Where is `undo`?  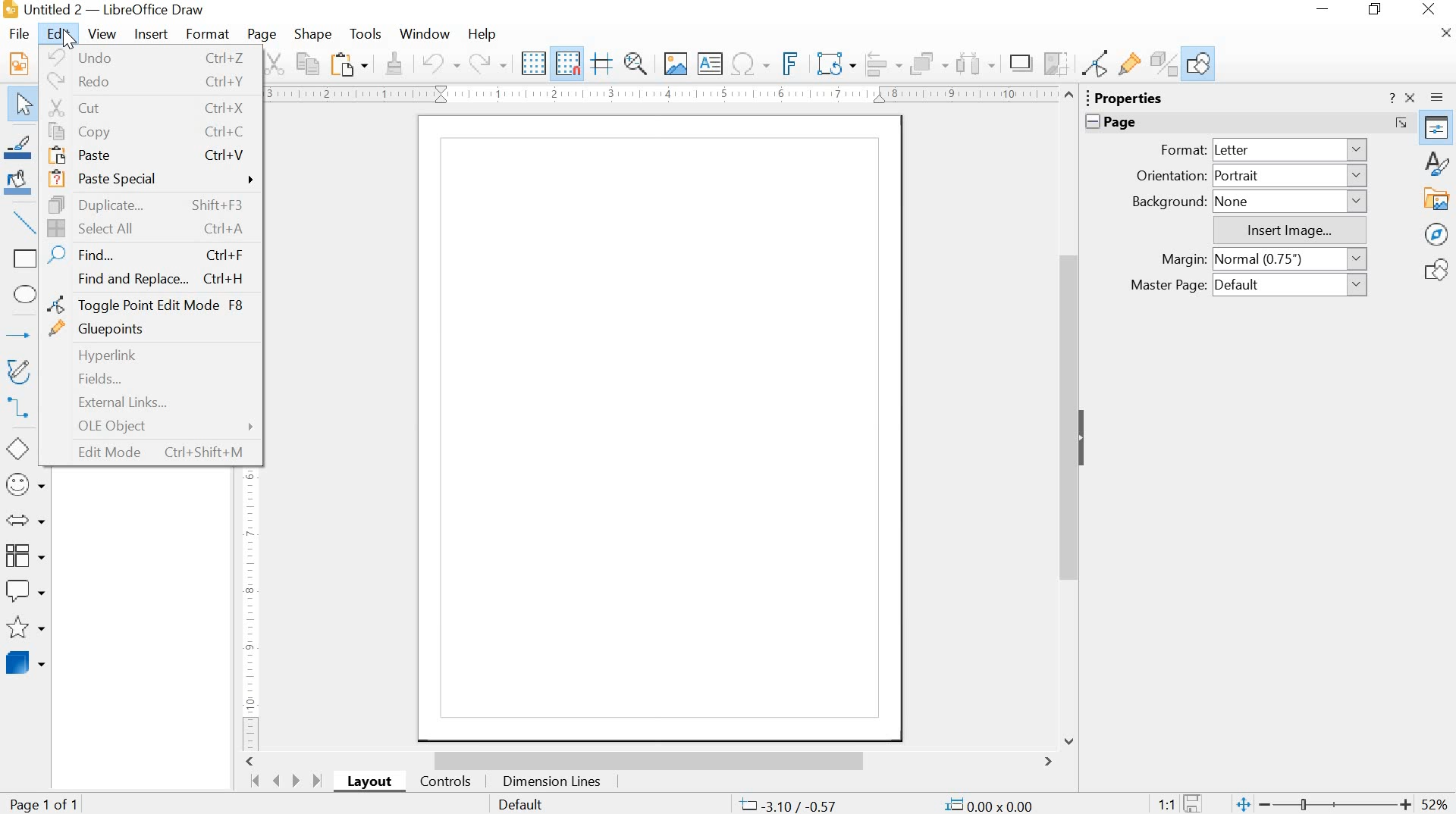
undo is located at coordinates (153, 58).